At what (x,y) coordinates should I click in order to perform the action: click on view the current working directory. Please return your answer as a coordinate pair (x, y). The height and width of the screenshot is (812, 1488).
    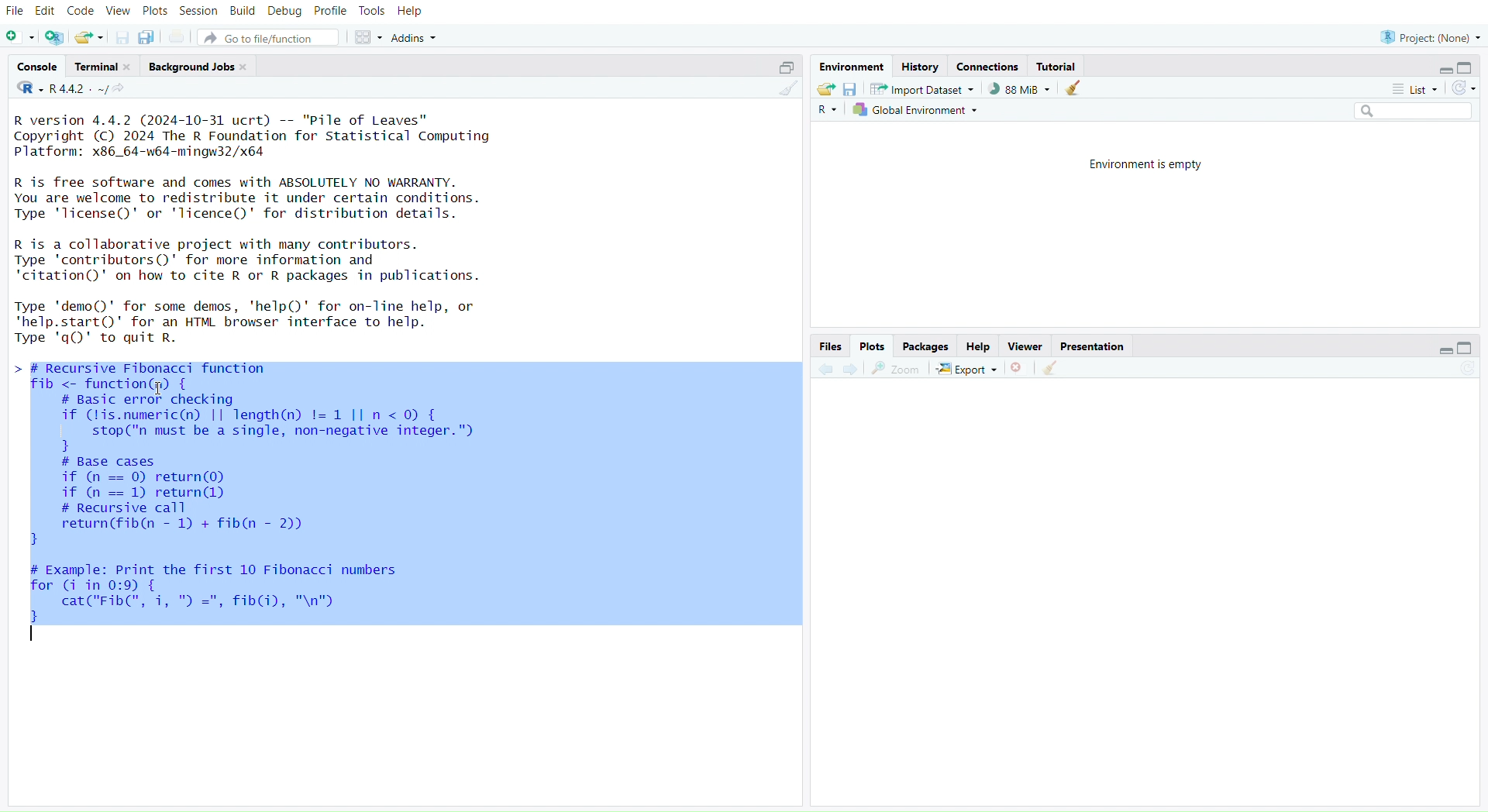
    Looking at the image, I should click on (120, 89).